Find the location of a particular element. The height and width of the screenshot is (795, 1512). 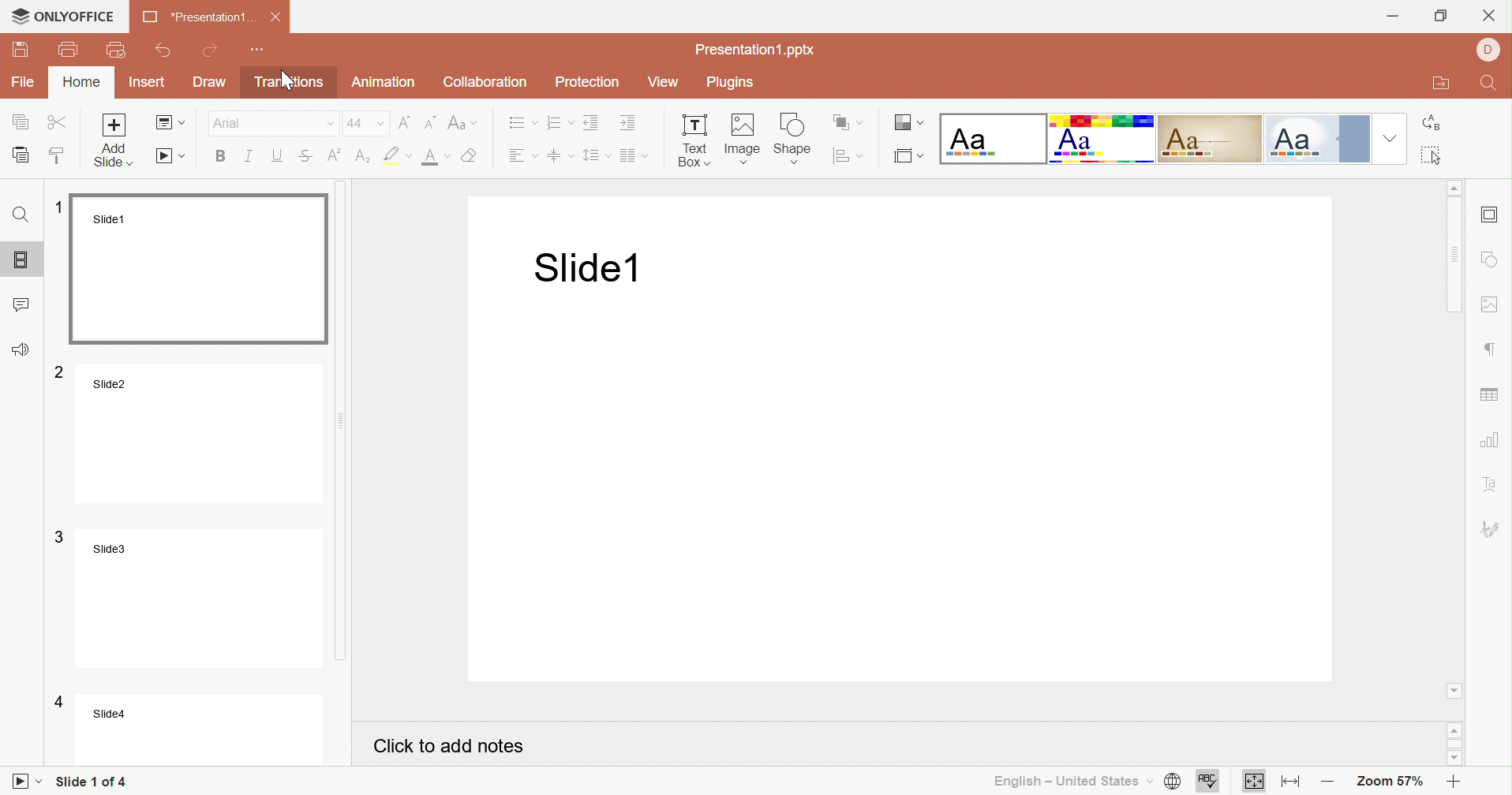

Increment font size is located at coordinates (405, 123).